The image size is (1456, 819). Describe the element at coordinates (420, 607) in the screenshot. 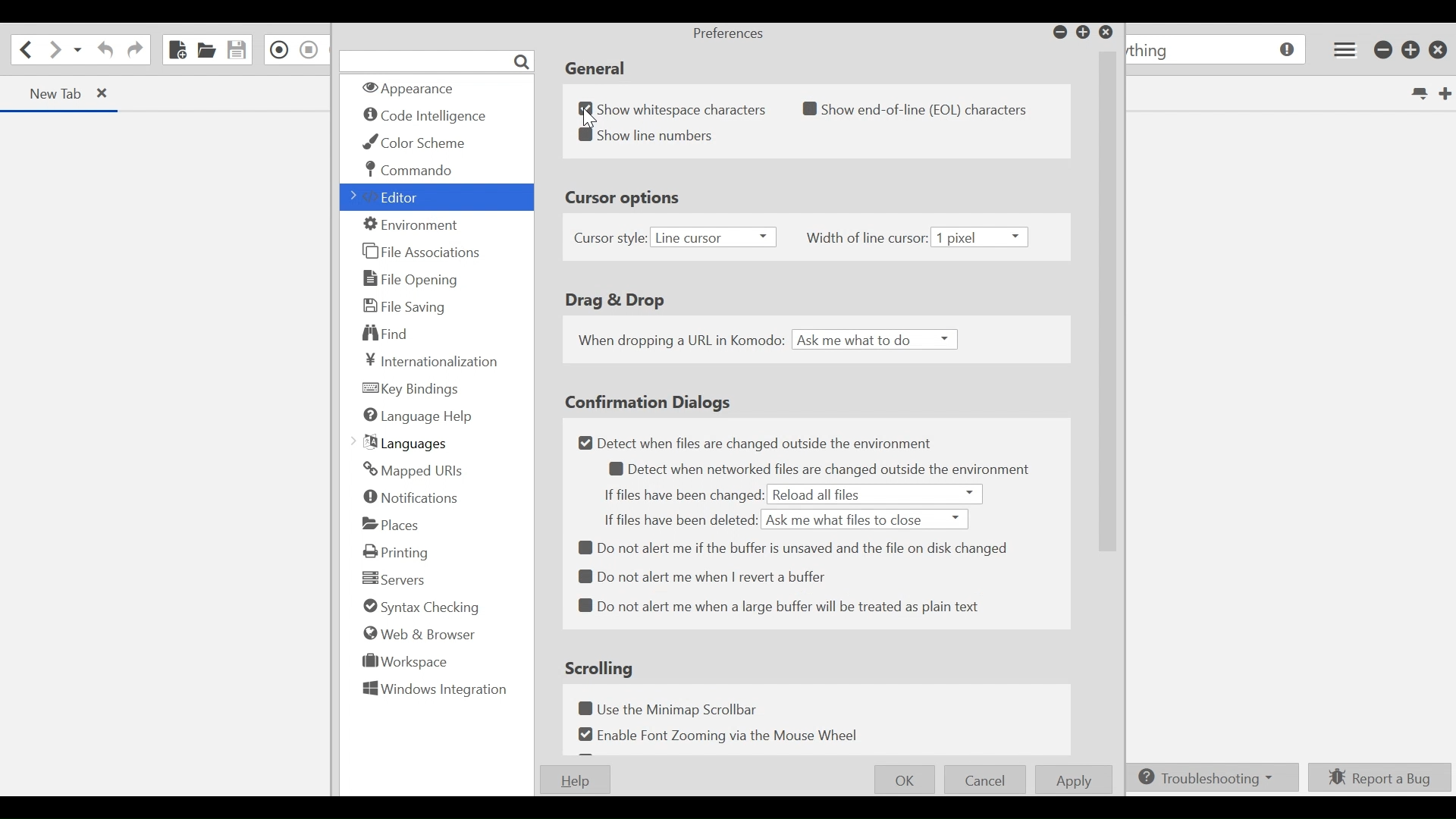

I see `Syntax Checking` at that location.